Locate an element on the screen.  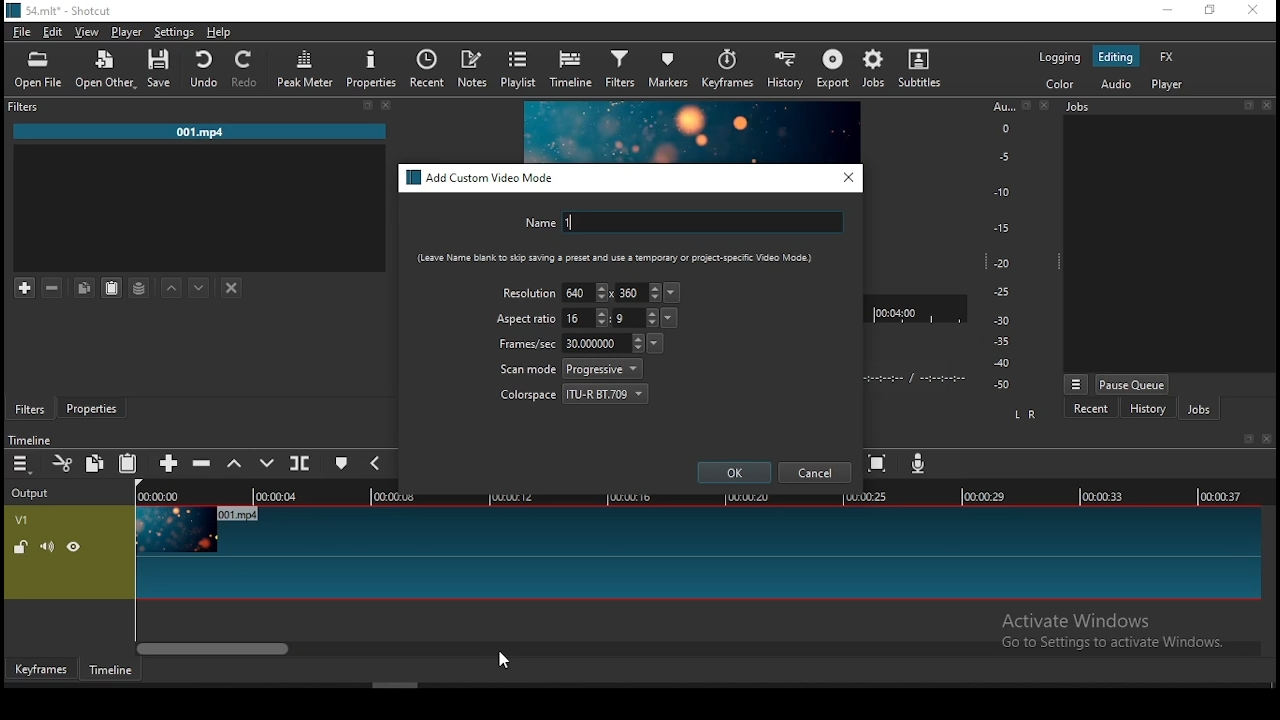
remove selected filters is located at coordinates (53, 288).